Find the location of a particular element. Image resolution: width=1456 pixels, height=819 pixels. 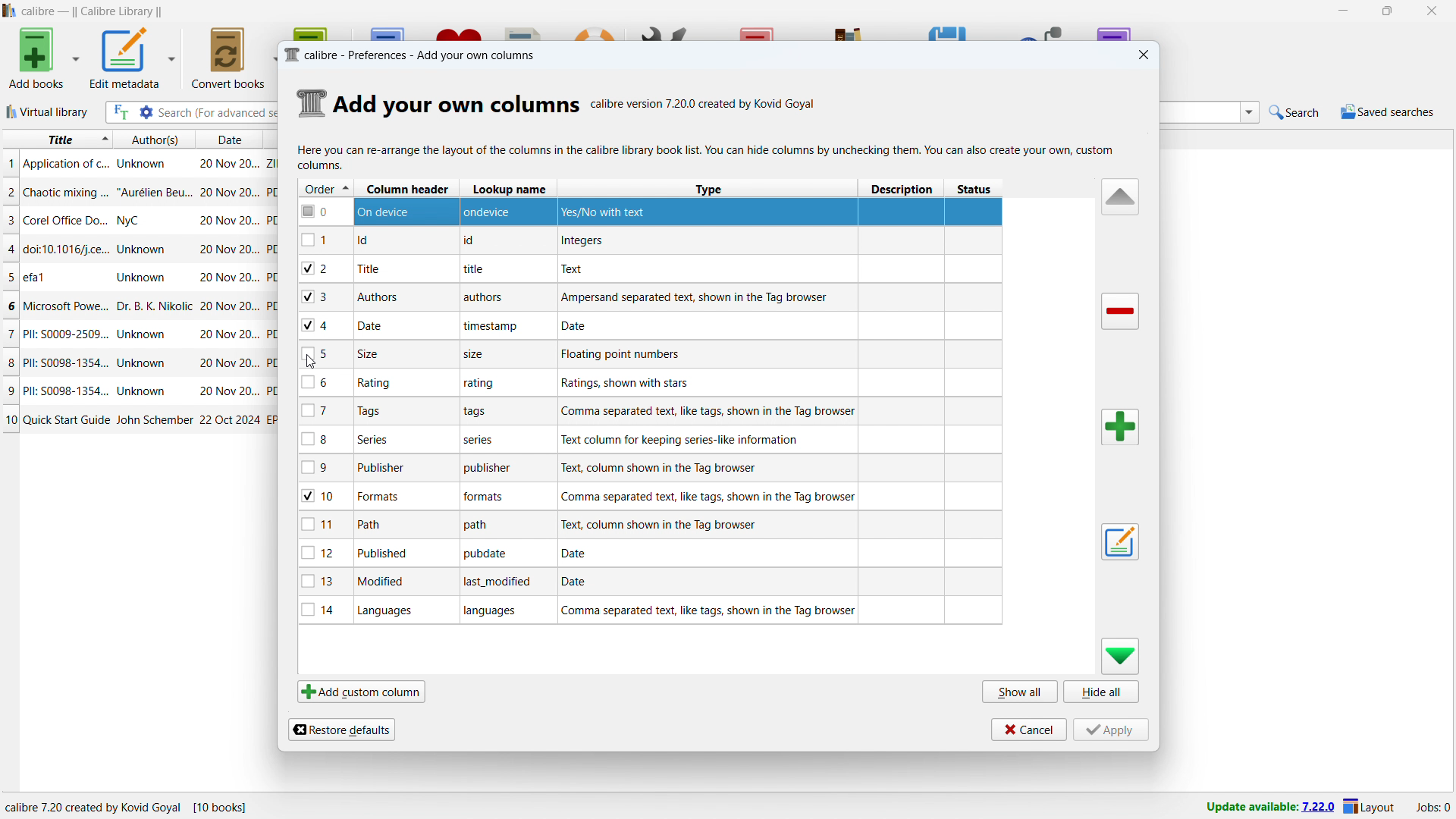

date is located at coordinates (227, 139).